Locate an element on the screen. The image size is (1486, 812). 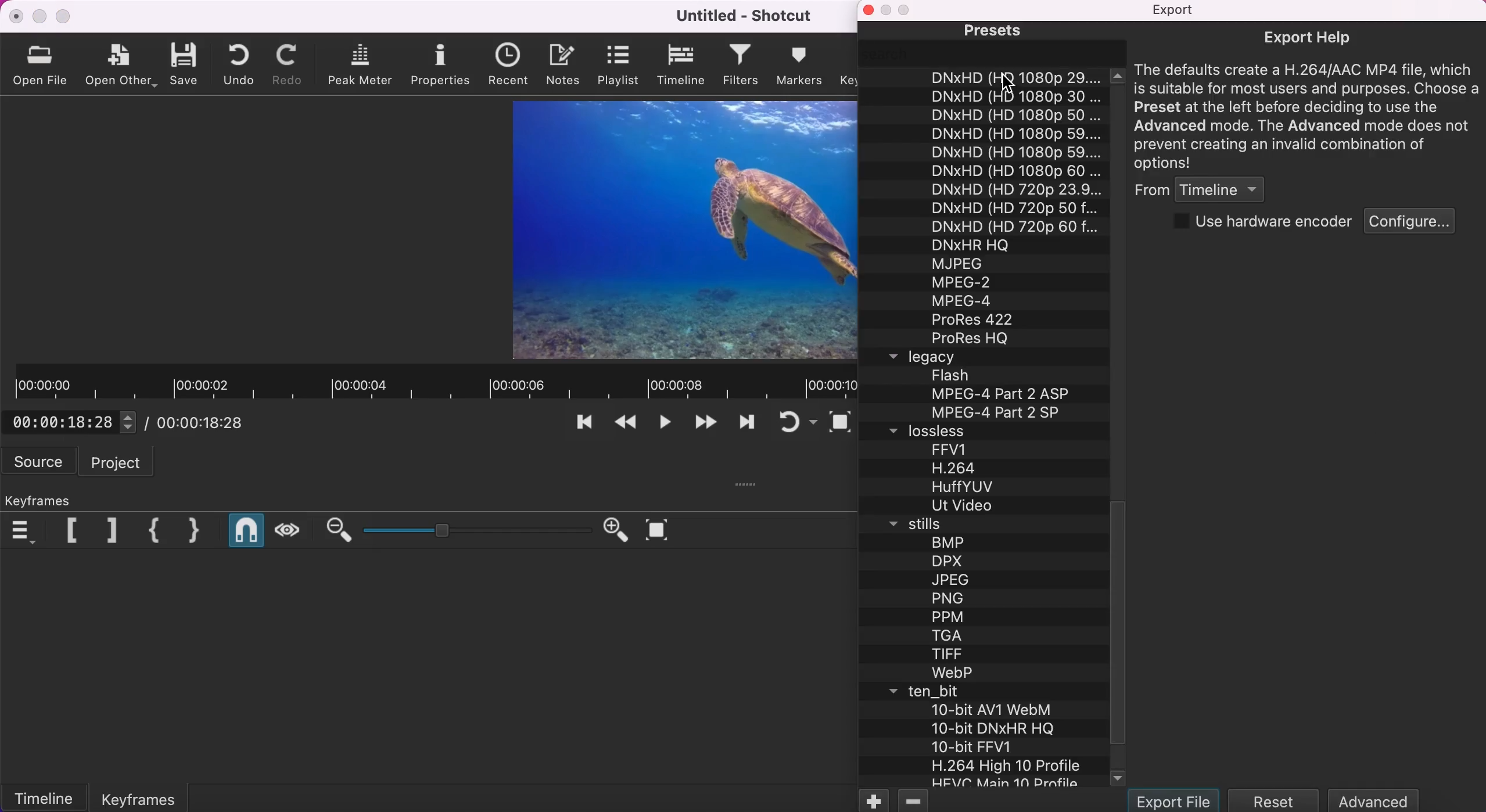
Untitled - Shotcut is located at coordinates (742, 17).